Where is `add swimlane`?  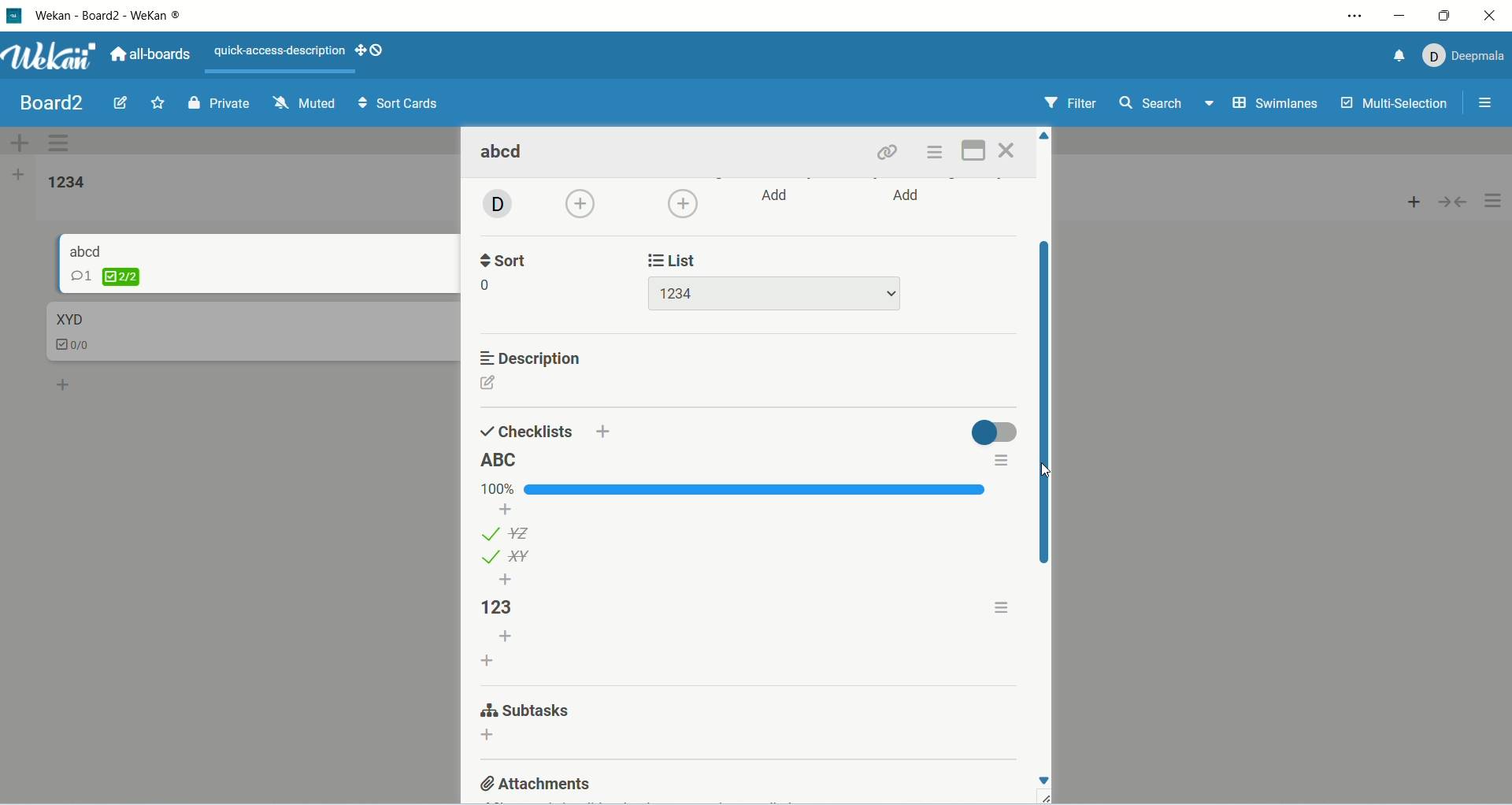 add swimlane is located at coordinates (16, 139).